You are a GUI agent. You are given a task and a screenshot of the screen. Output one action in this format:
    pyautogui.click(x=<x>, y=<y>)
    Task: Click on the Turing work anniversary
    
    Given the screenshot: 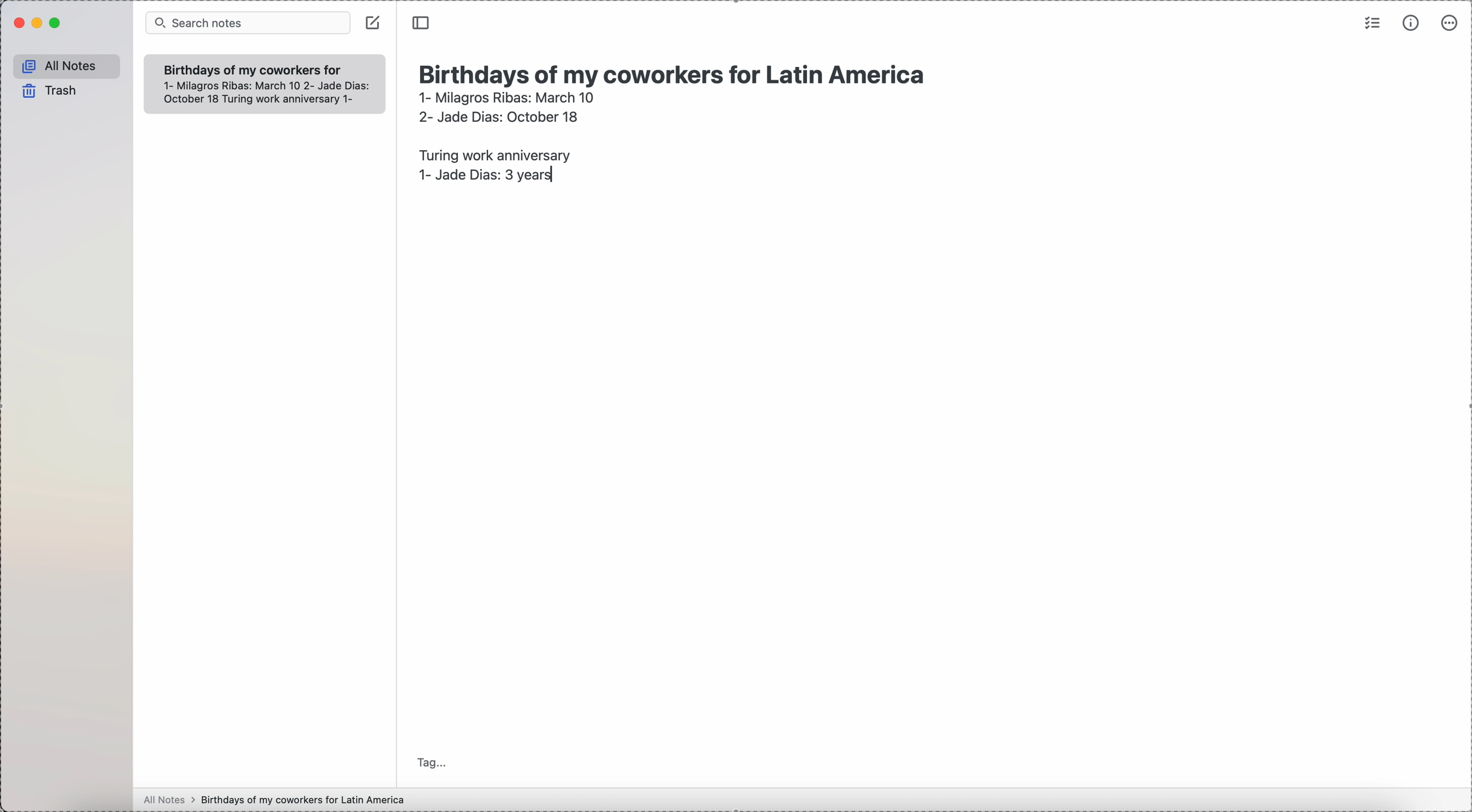 What is the action you would take?
    pyautogui.click(x=491, y=153)
    